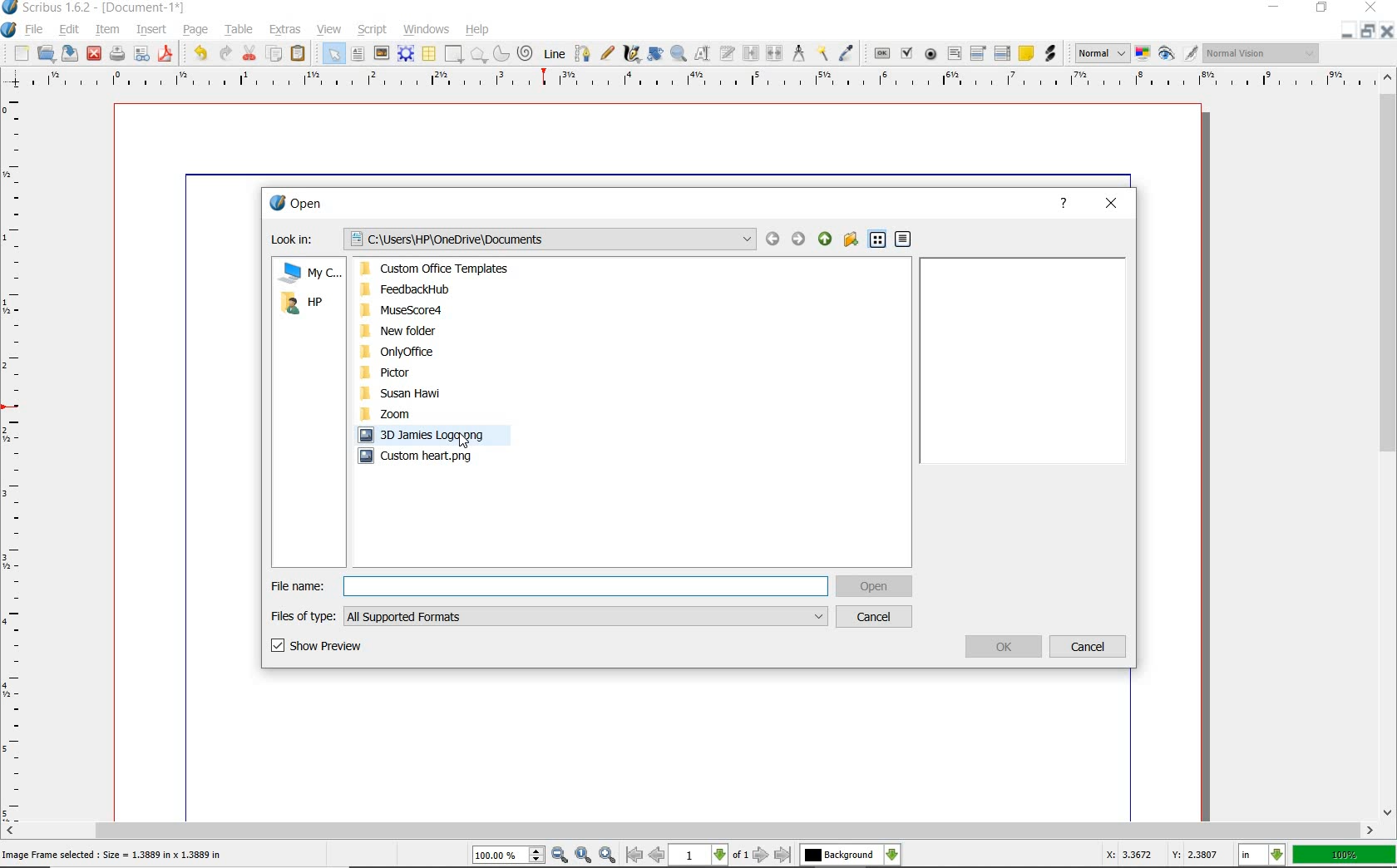 This screenshot has width=1397, height=868. I want to click on CANCEL, so click(1088, 648).